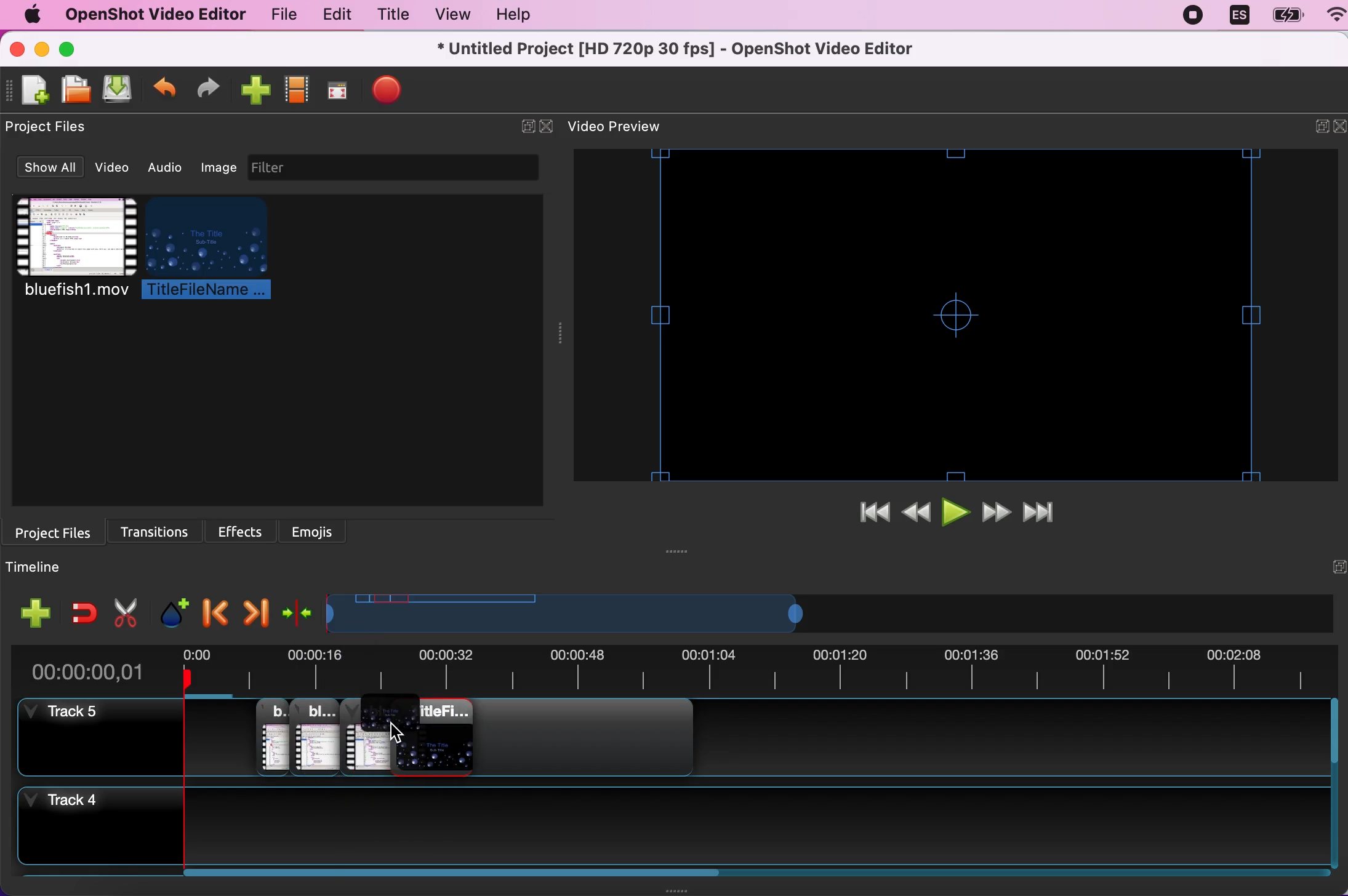  What do you see at coordinates (508, 17) in the screenshot?
I see `help` at bounding box center [508, 17].